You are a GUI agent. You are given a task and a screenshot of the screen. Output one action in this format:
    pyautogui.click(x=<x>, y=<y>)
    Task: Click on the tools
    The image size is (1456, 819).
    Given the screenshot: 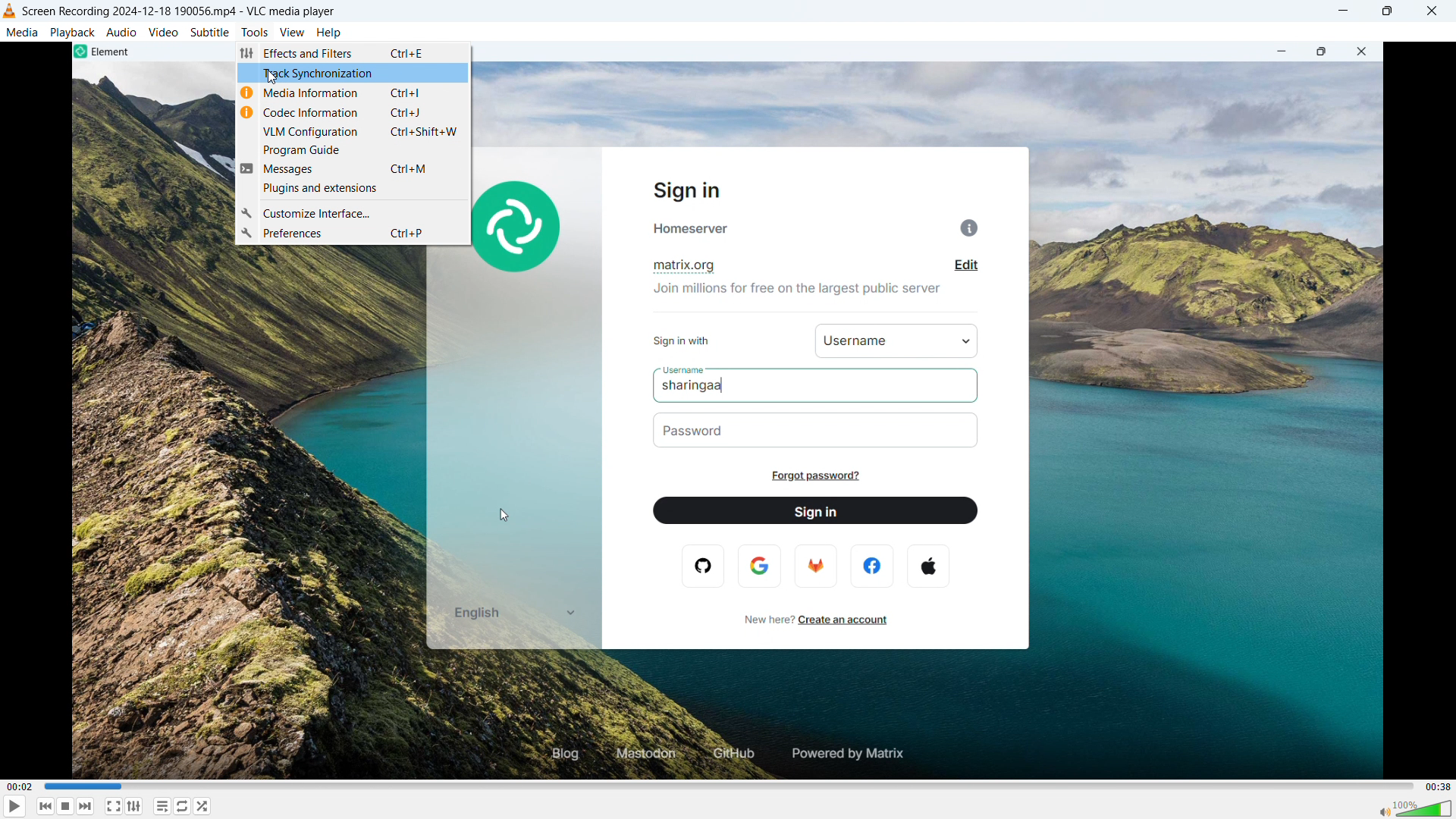 What is the action you would take?
    pyautogui.click(x=255, y=33)
    